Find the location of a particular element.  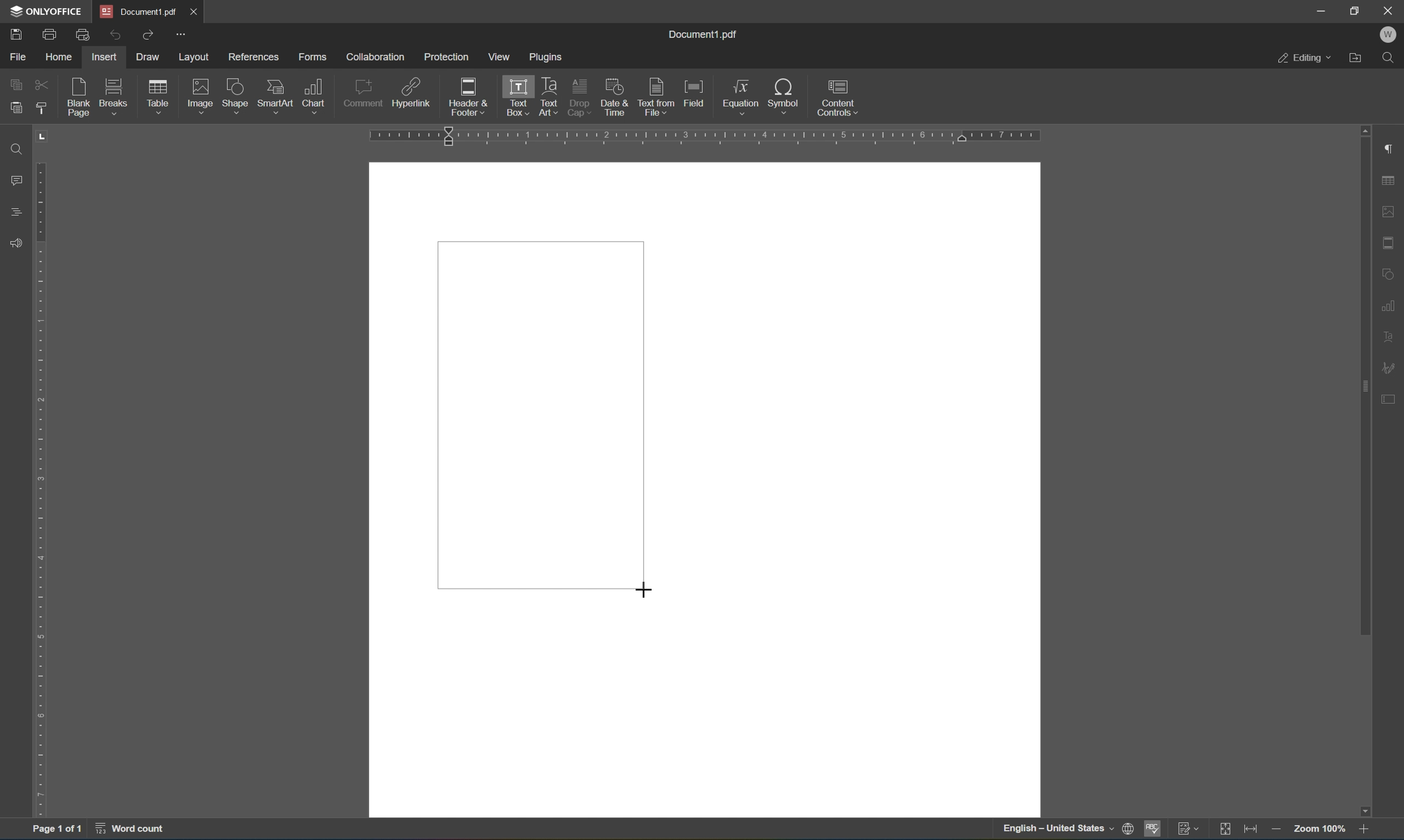

table is located at coordinates (159, 98).